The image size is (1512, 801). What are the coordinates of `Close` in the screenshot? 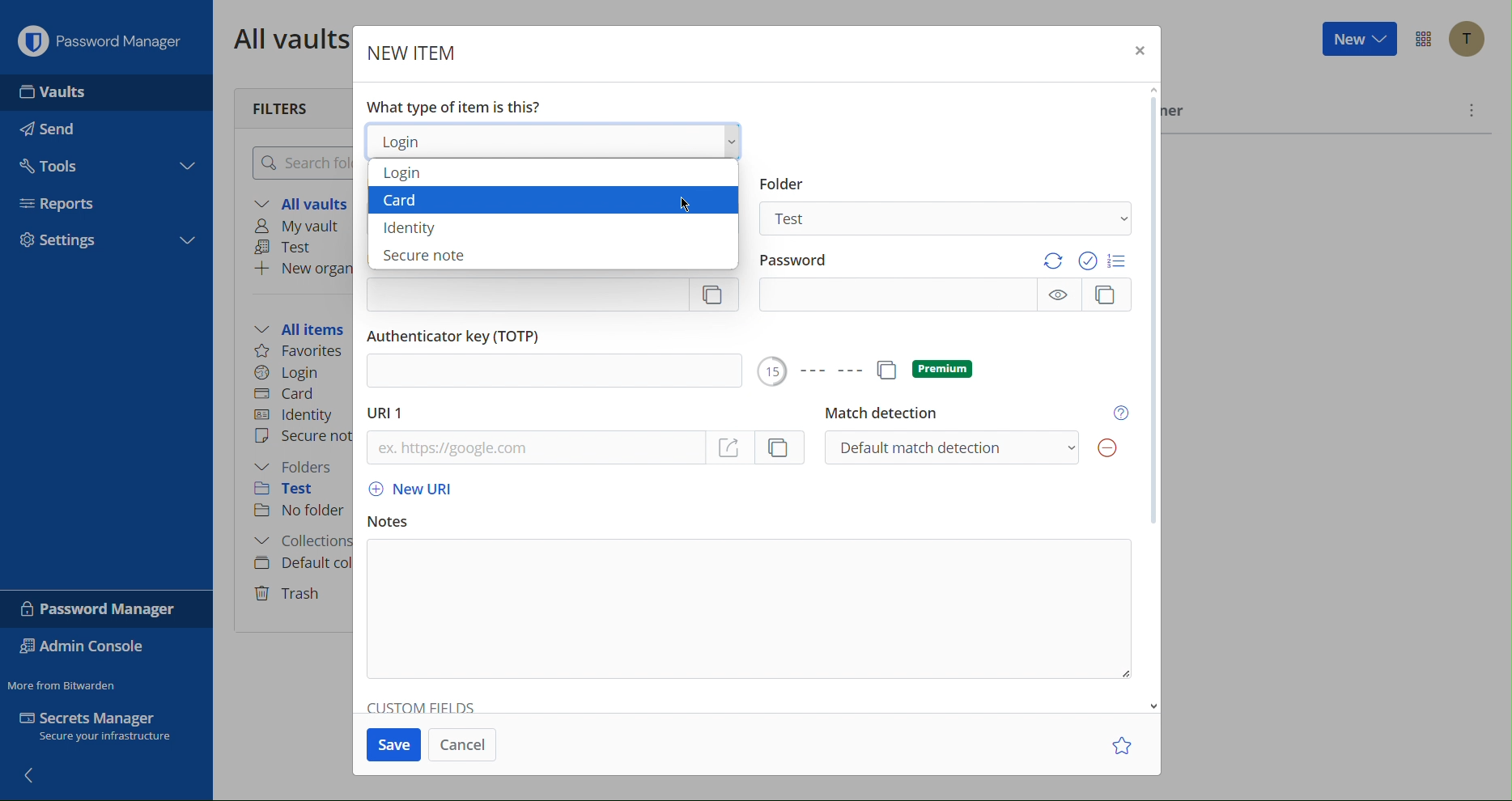 It's located at (1140, 51).